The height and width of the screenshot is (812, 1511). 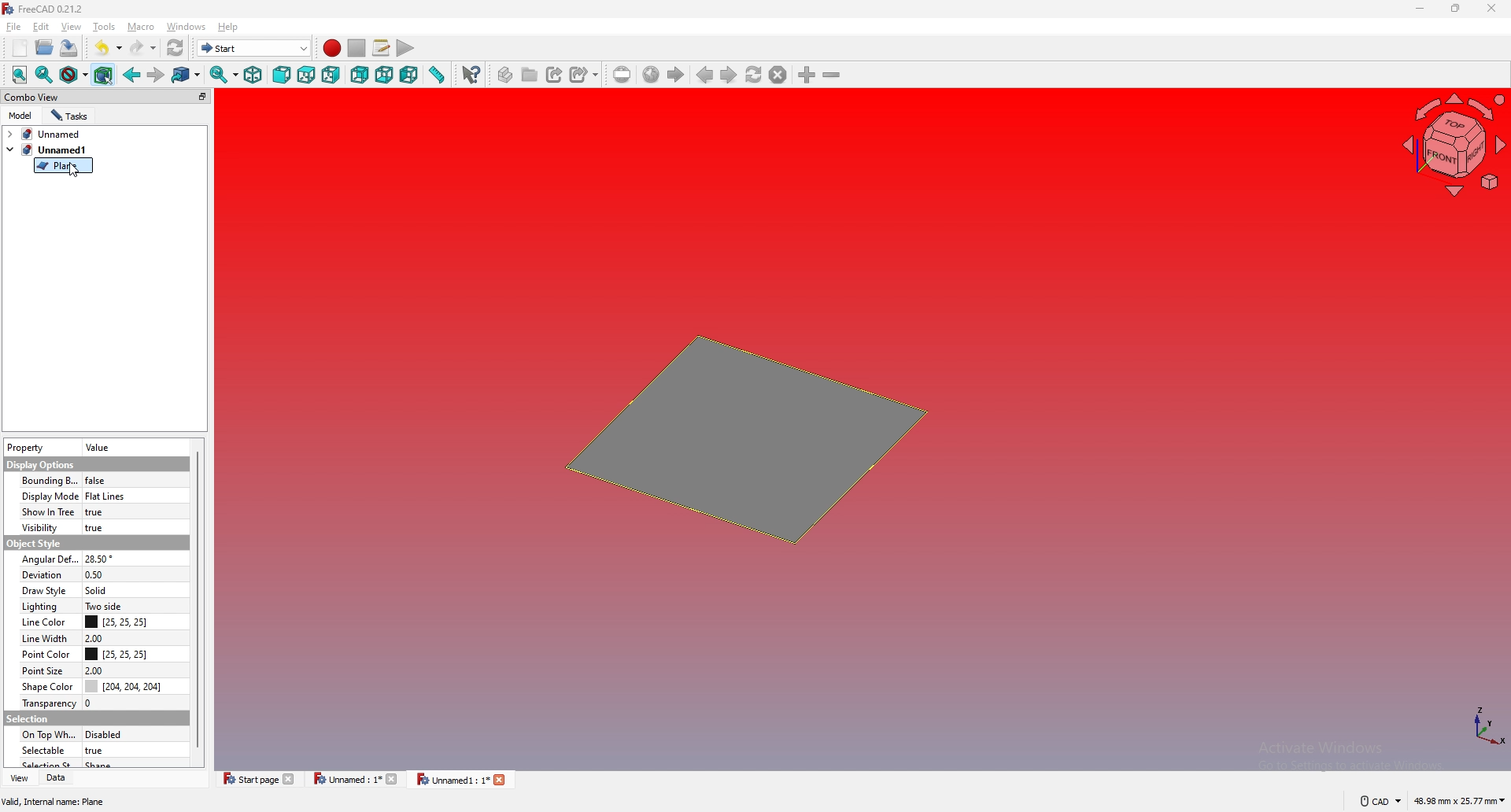 I want to click on fit all, so click(x=20, y=75).